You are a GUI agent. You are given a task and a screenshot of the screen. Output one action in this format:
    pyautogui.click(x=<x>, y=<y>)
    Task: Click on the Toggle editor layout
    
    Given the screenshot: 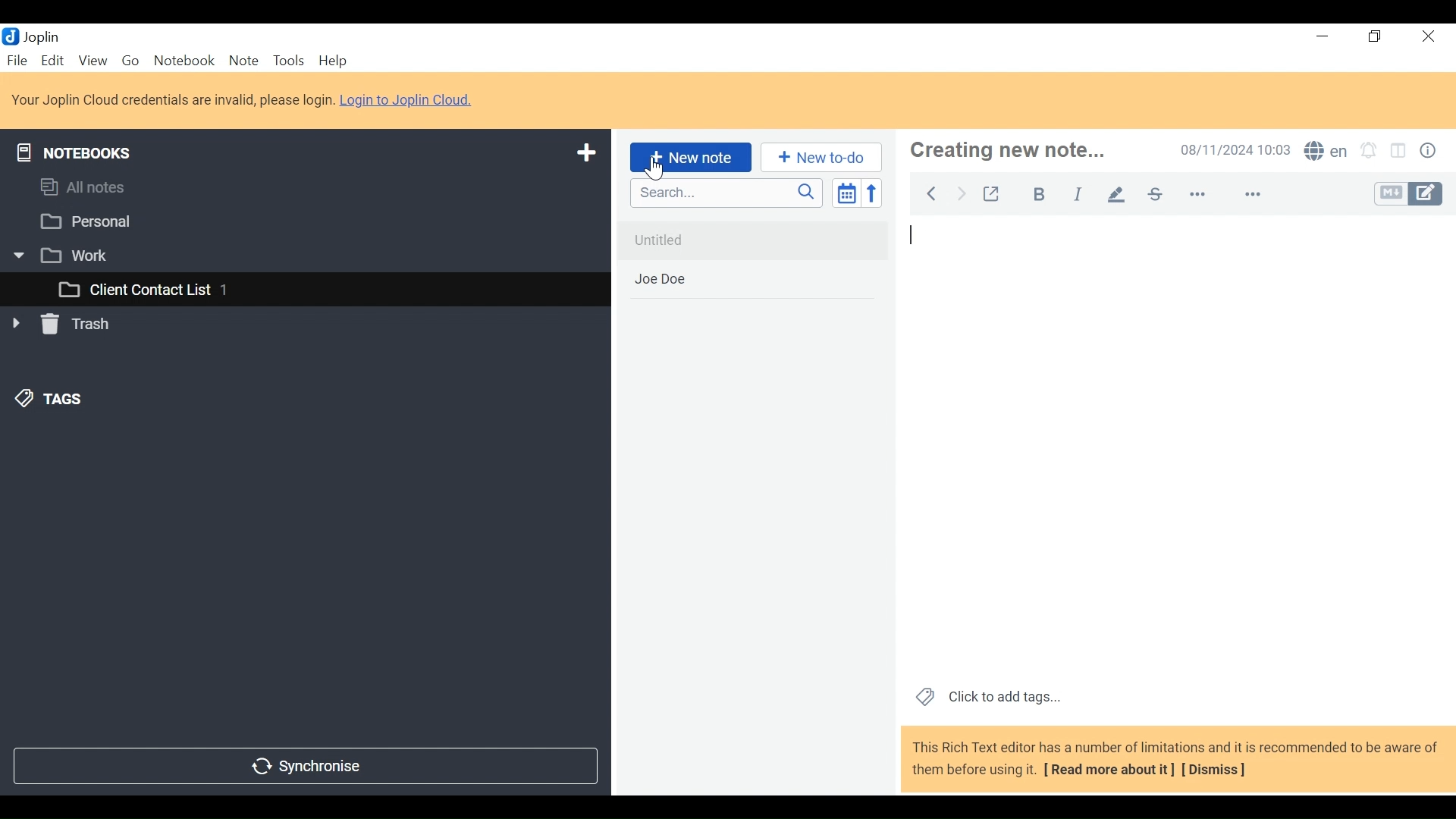 What is the action you would take?
    pyautogui.click(x=1402, y=150)
    